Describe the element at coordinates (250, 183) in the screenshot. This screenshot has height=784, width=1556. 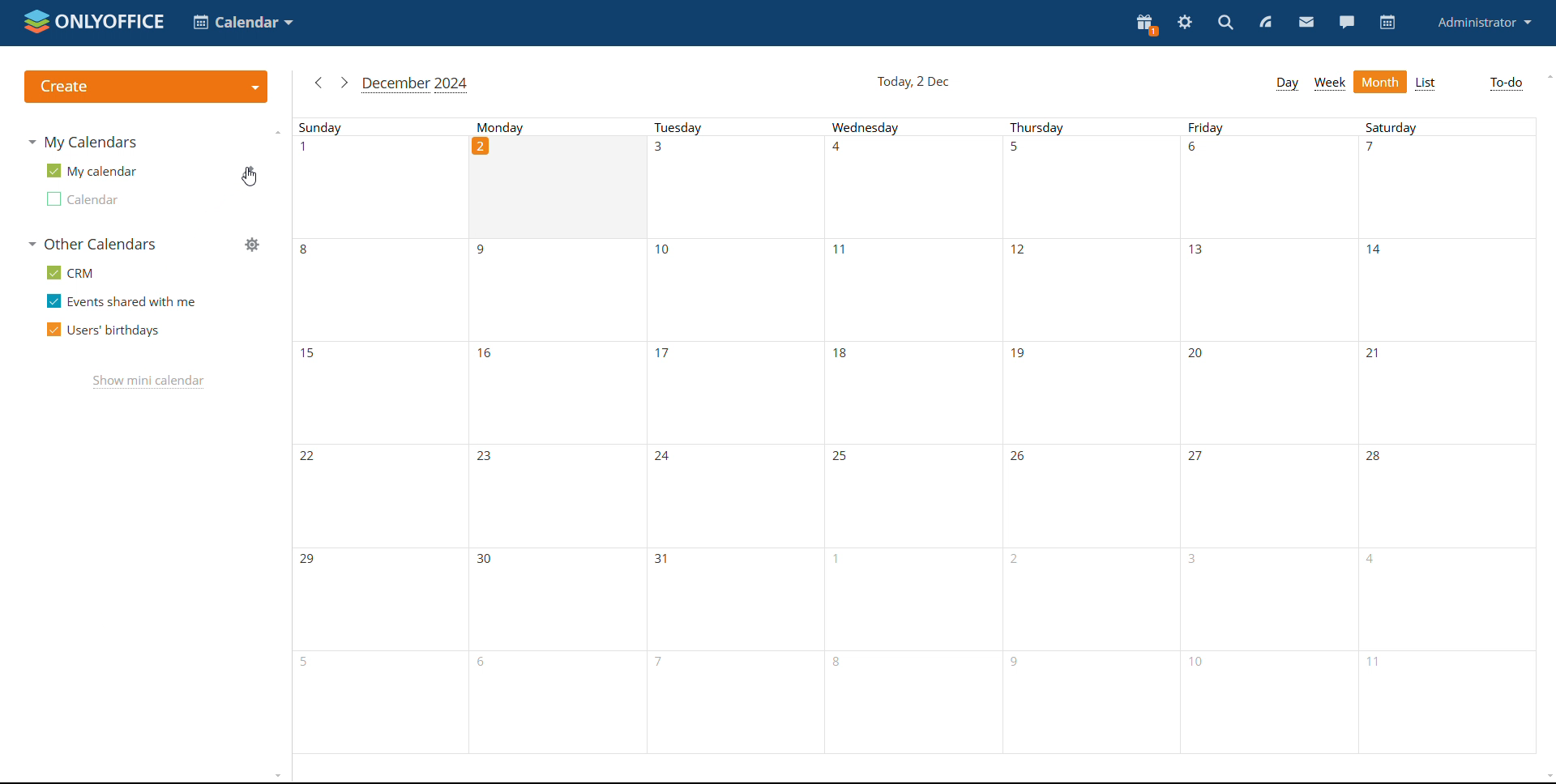
I see `cursor` at that location.